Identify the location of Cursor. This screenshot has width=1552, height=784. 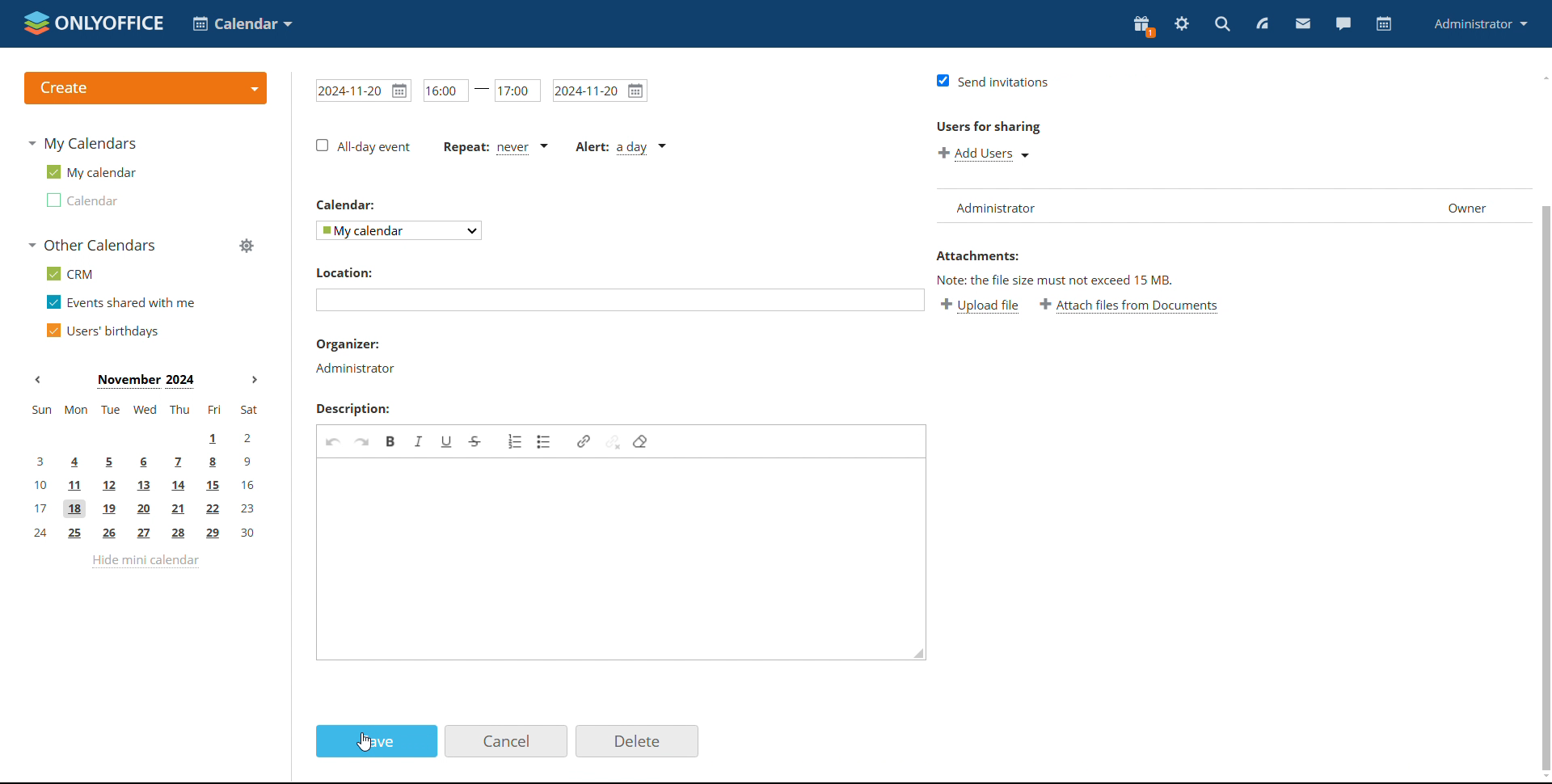
(364, 743).